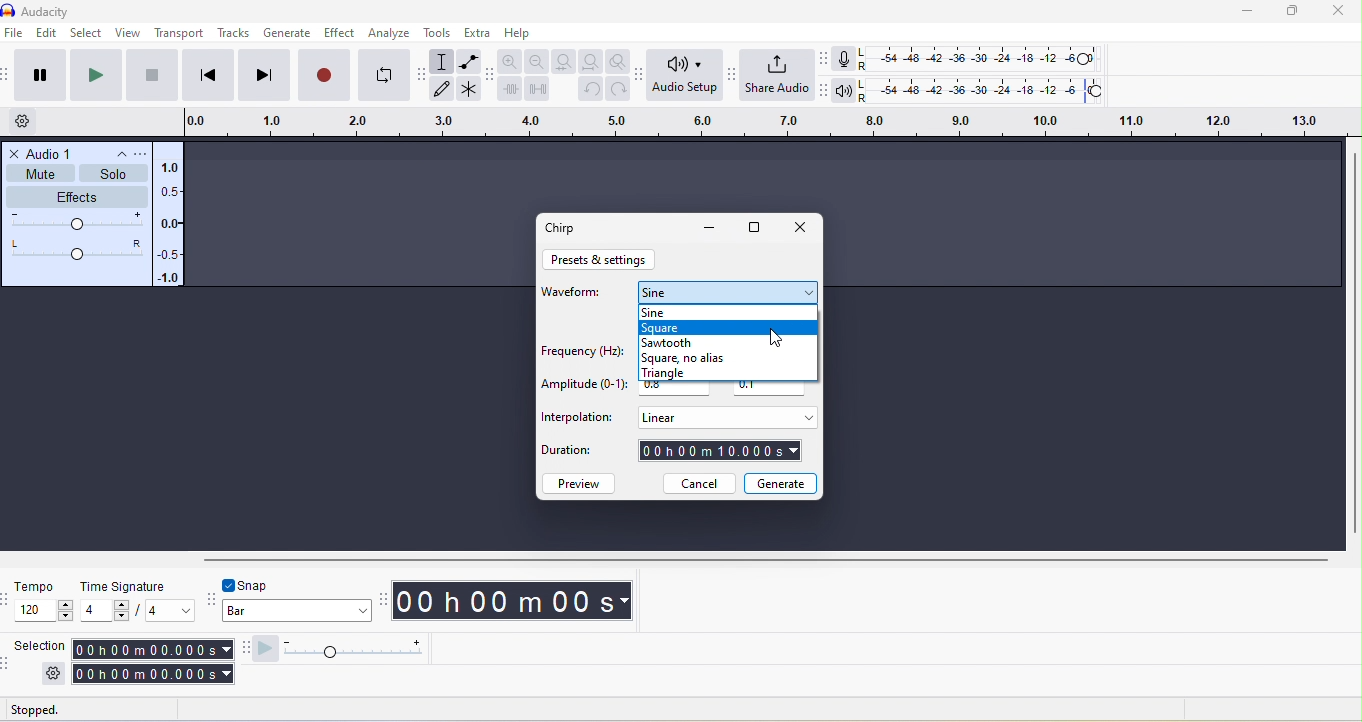 This screenshot has height=722, width=1362. What do you see at coordinates (1250, 11) in the screenshot?
I see `minimize` at bounding box center [1250, 11].